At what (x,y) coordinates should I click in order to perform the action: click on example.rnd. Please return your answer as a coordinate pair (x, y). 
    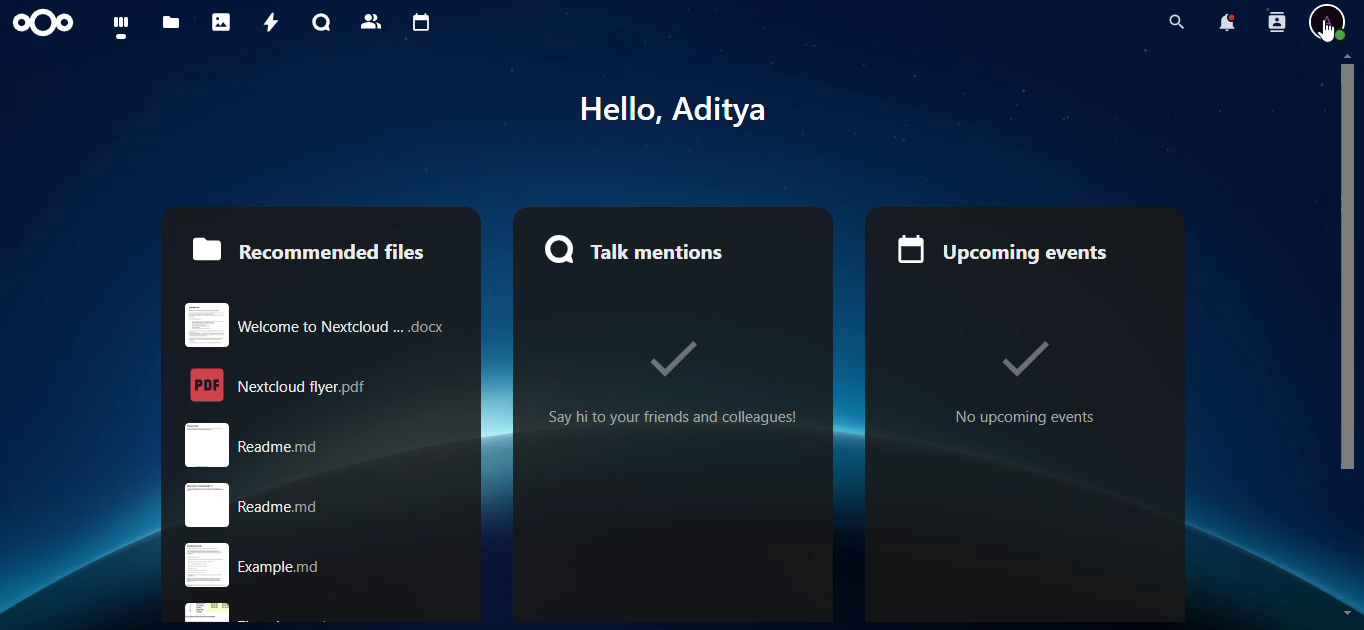
    Looking at the image, I should click on (323, 566).